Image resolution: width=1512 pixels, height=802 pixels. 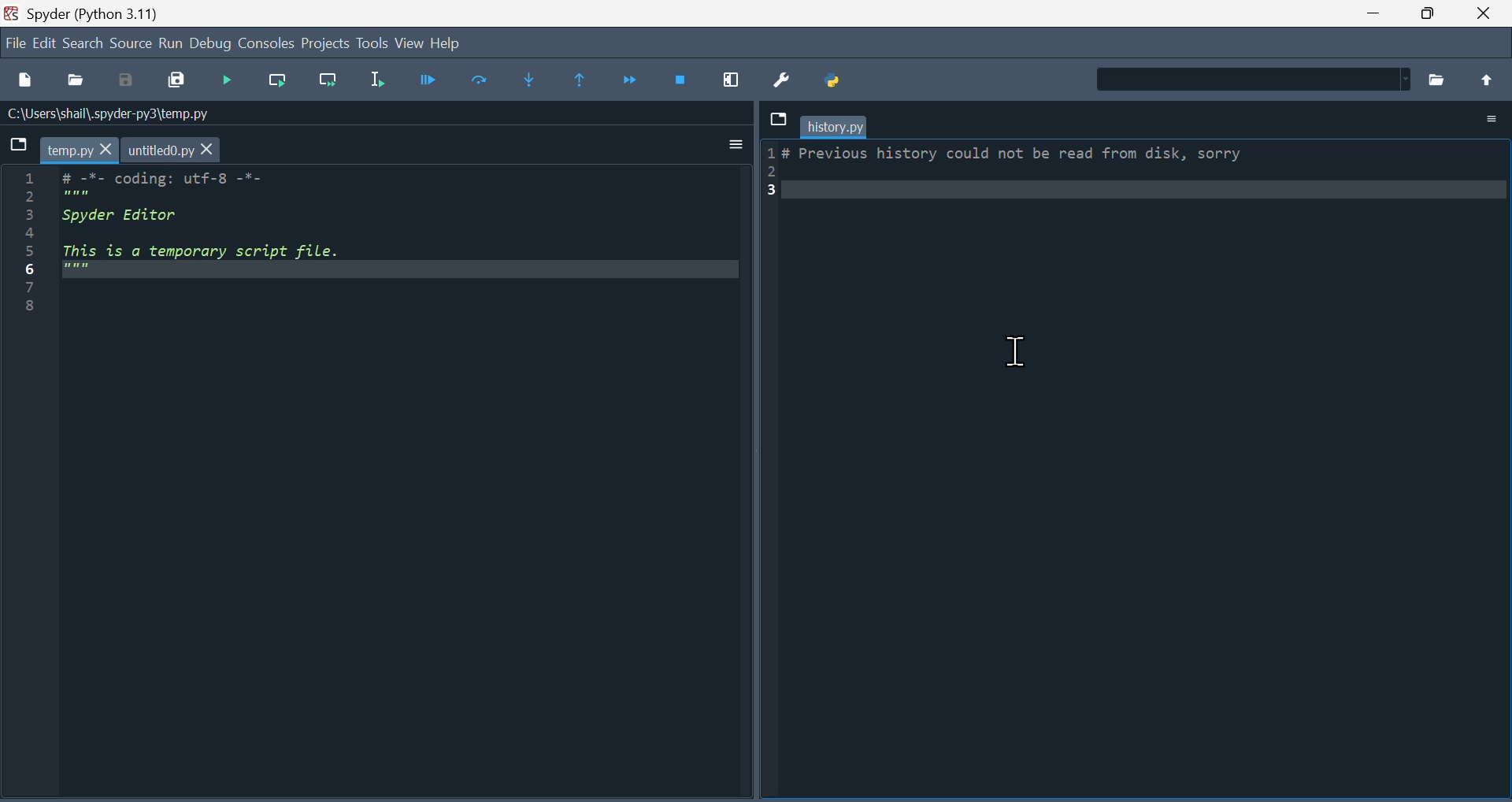 What do you see at coordinates (776, 117) in the screenshot?
I see `Dropdown` at bounding box center [776, 117].